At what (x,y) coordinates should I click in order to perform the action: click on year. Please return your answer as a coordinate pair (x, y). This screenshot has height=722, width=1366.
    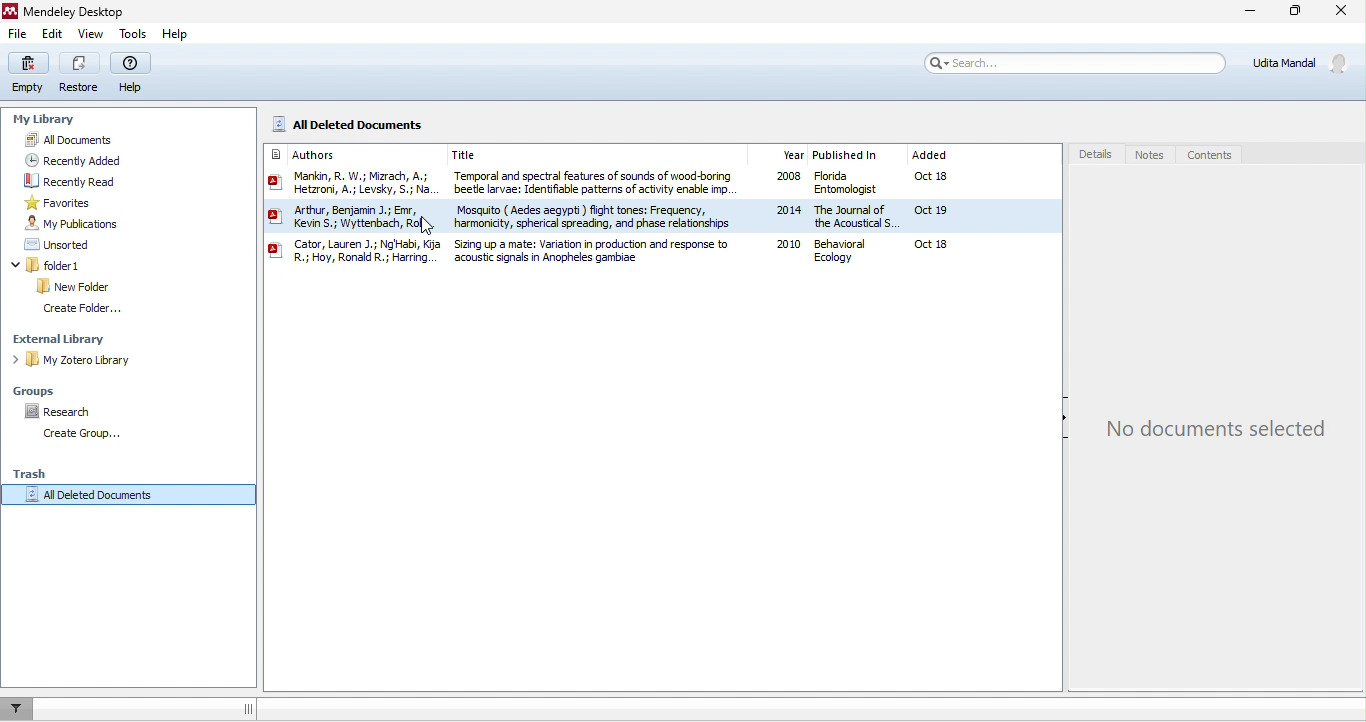
    Looking at the image, I should click on (794, 153).